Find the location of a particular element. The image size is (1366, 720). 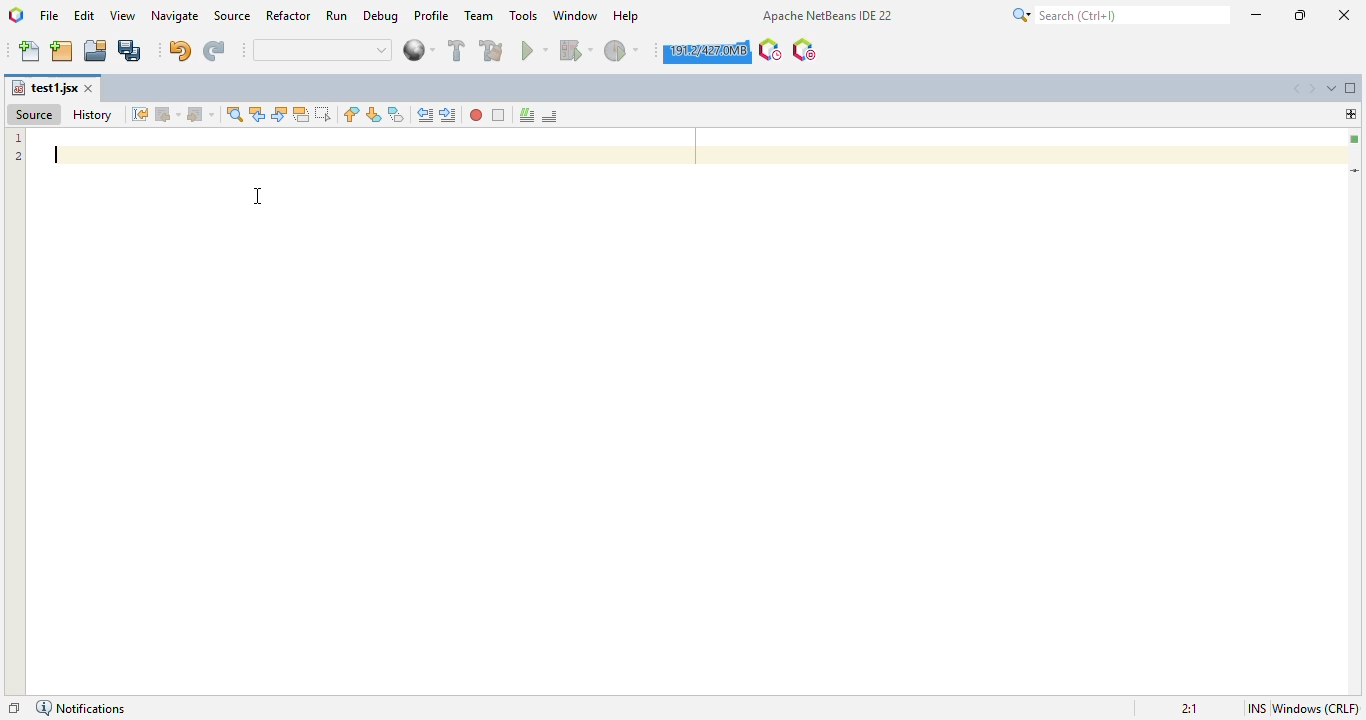

source is located at coordinates (233, 15).